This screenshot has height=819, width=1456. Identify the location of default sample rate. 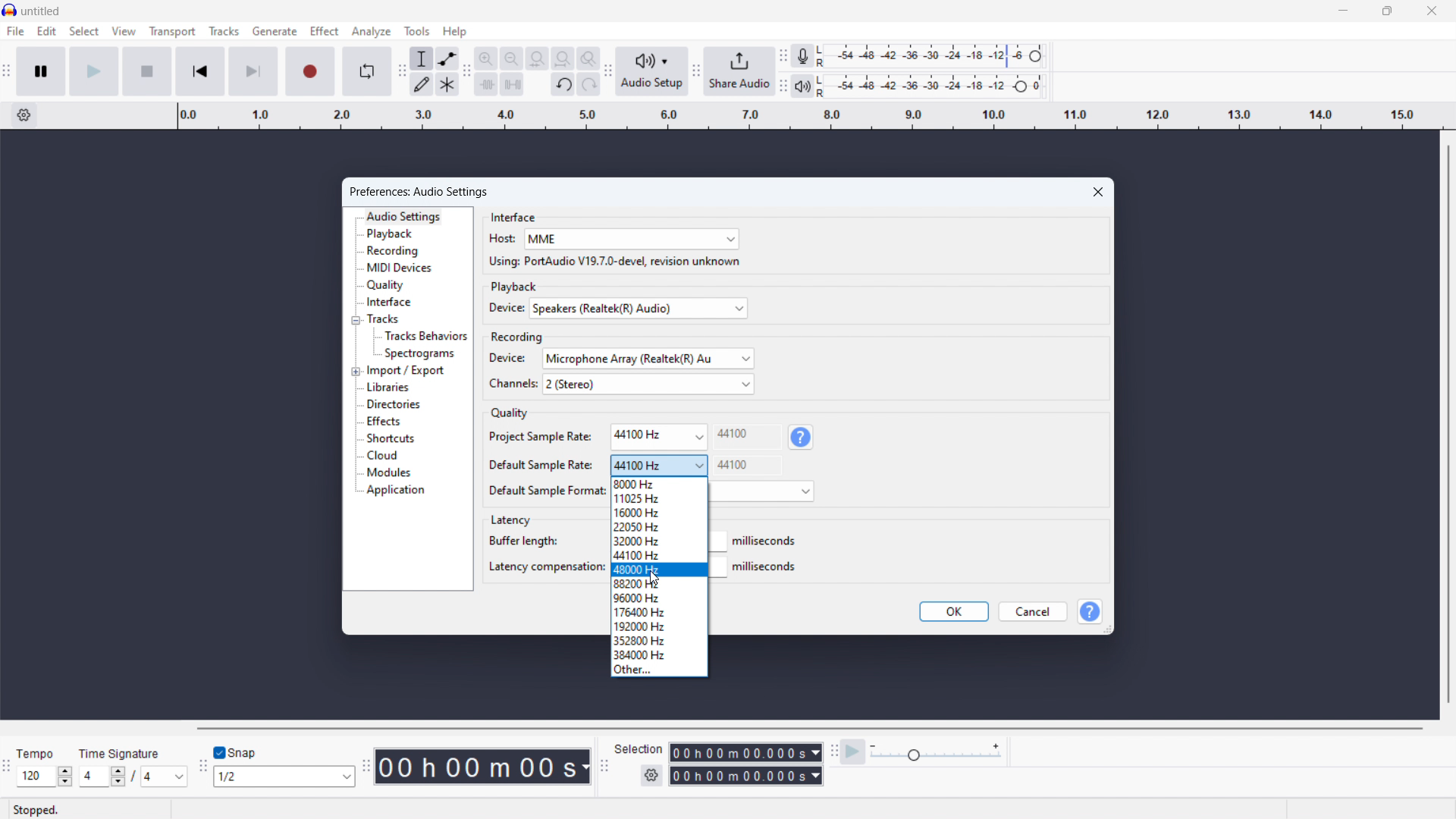
(658, 466).